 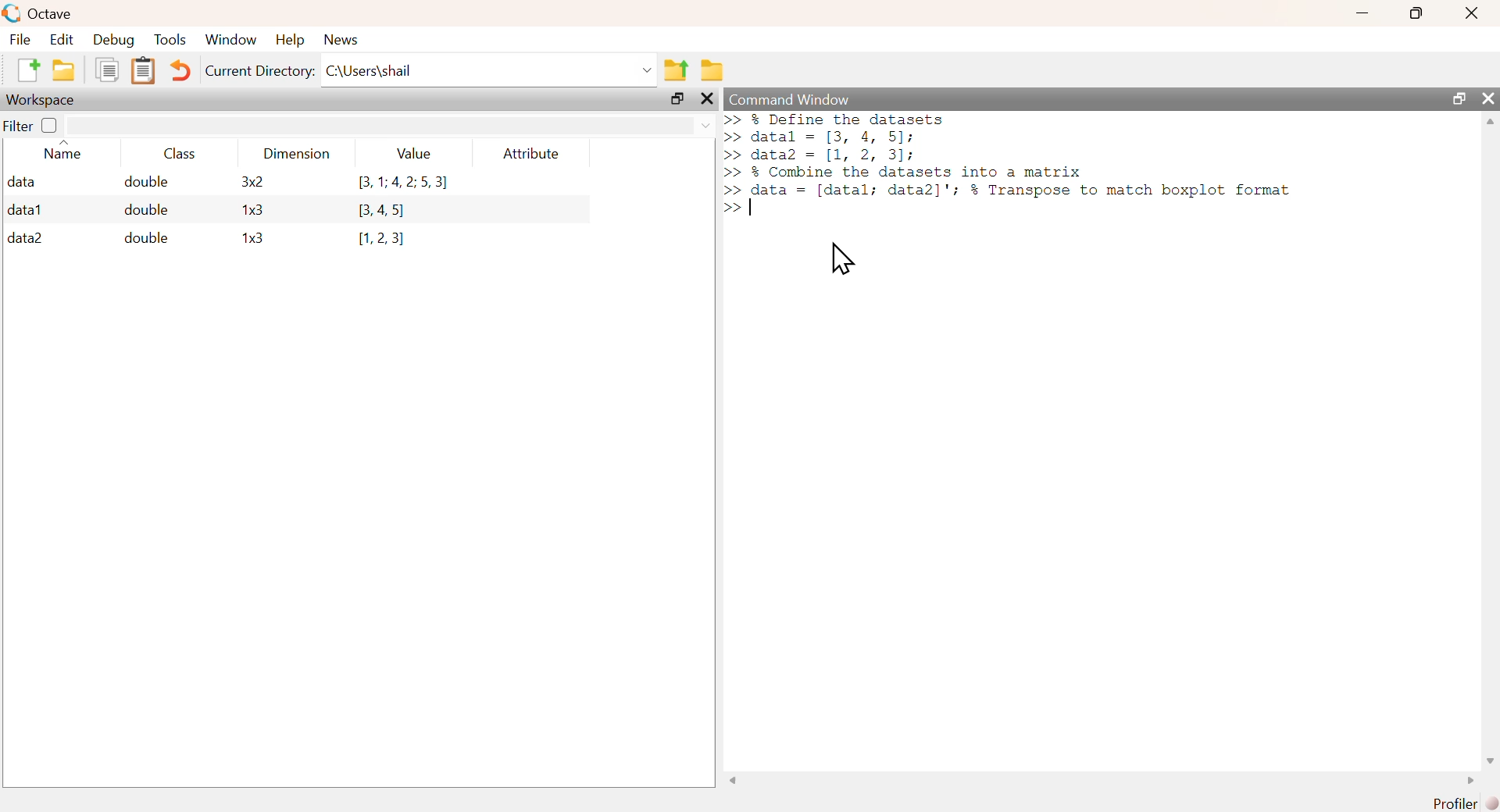 I want to click on 1x3, so click(x=252, y=211).